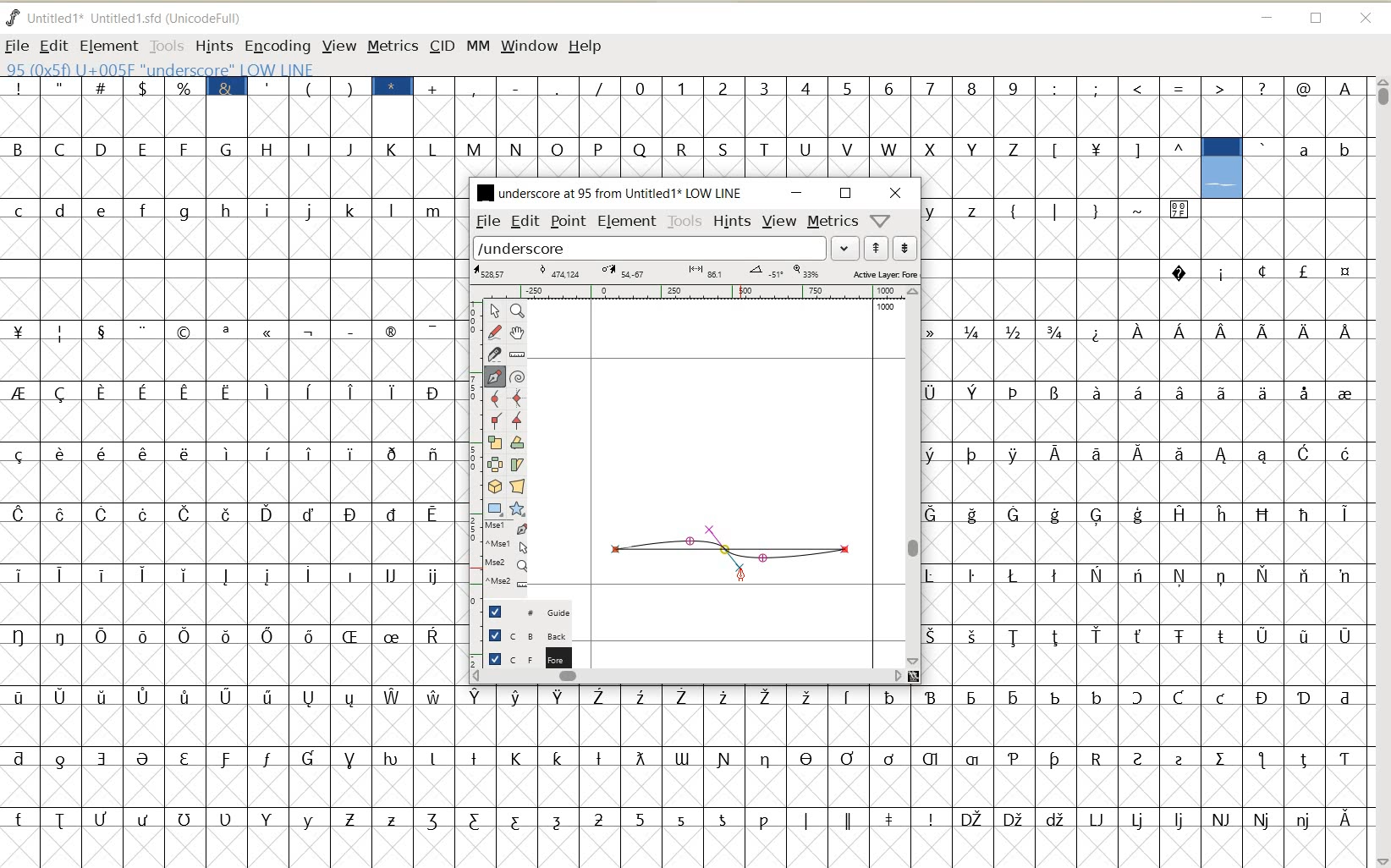  I want to click on help/window, so click(879, 221).